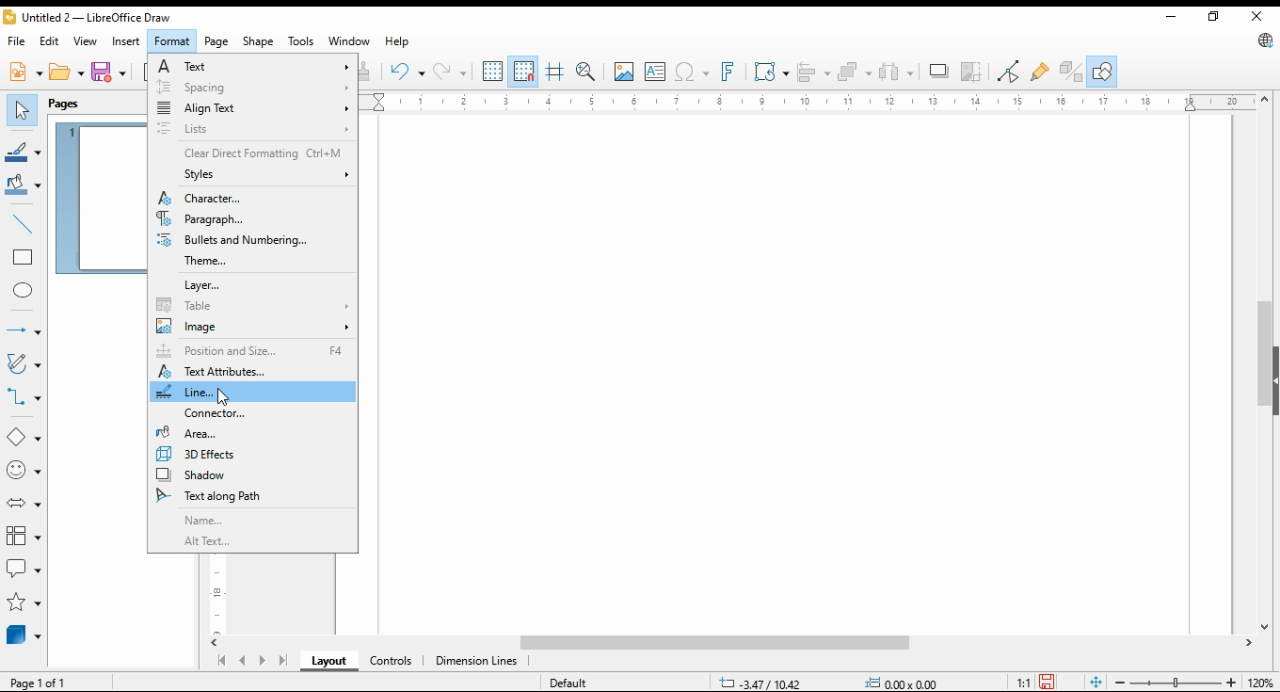 This screenshot has width=1280, height=692. I want to click on tools, so click(300, 41).